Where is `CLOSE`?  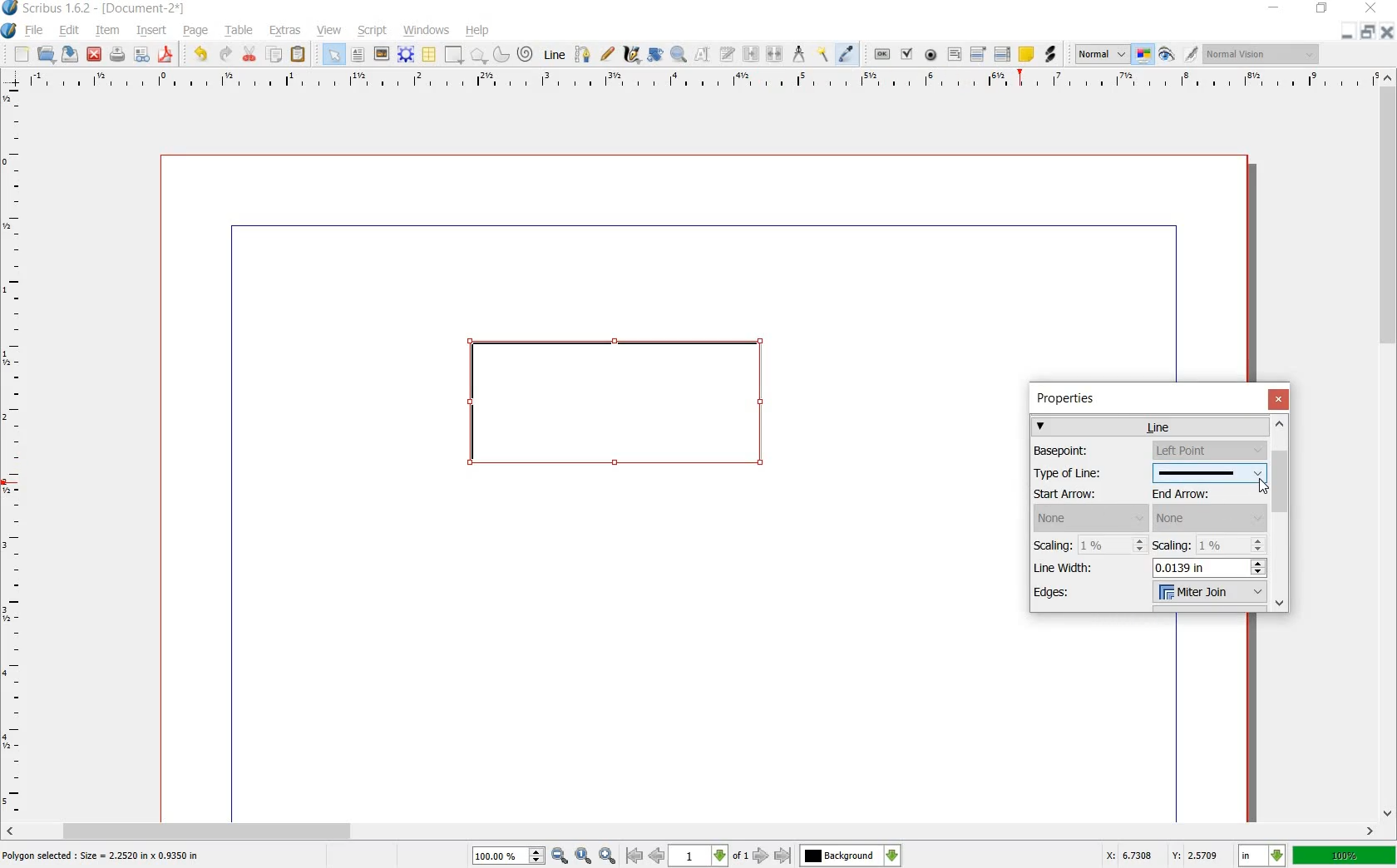 CLOSE is located at coordinates (1389, 32).